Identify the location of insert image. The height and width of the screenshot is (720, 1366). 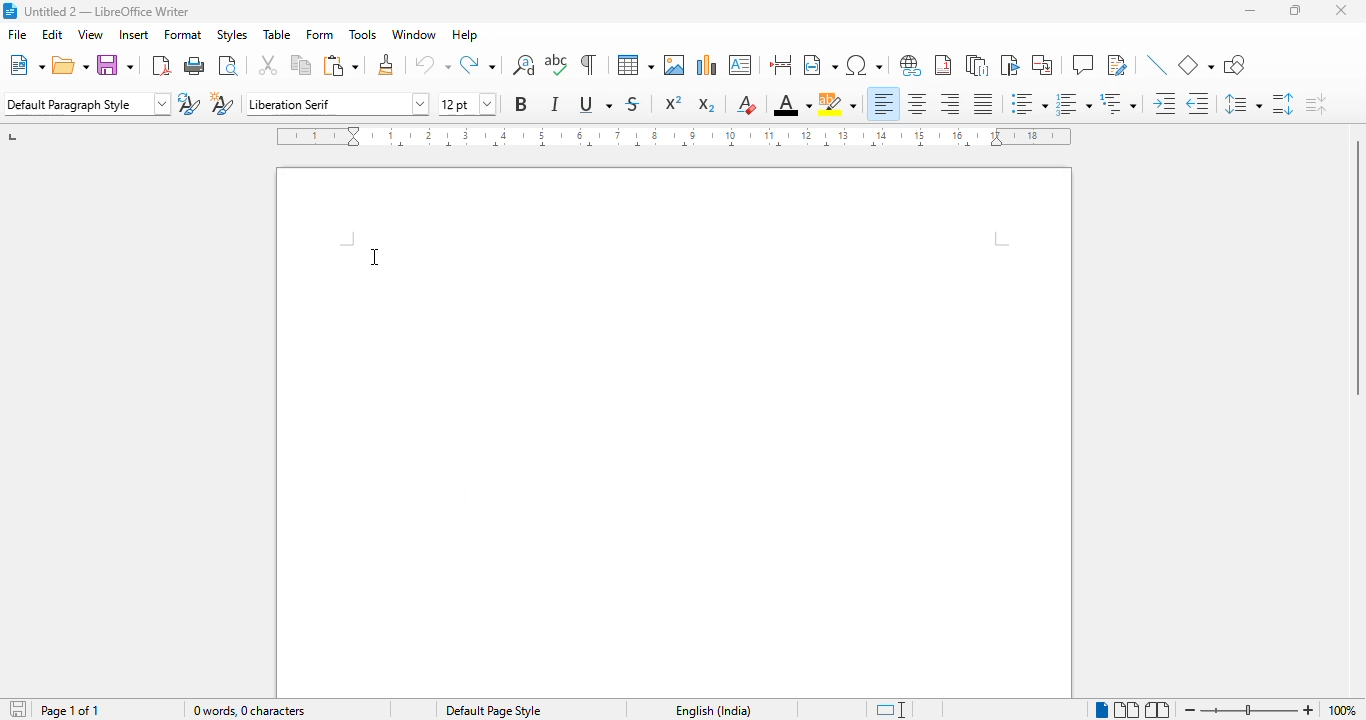
(674, 65).